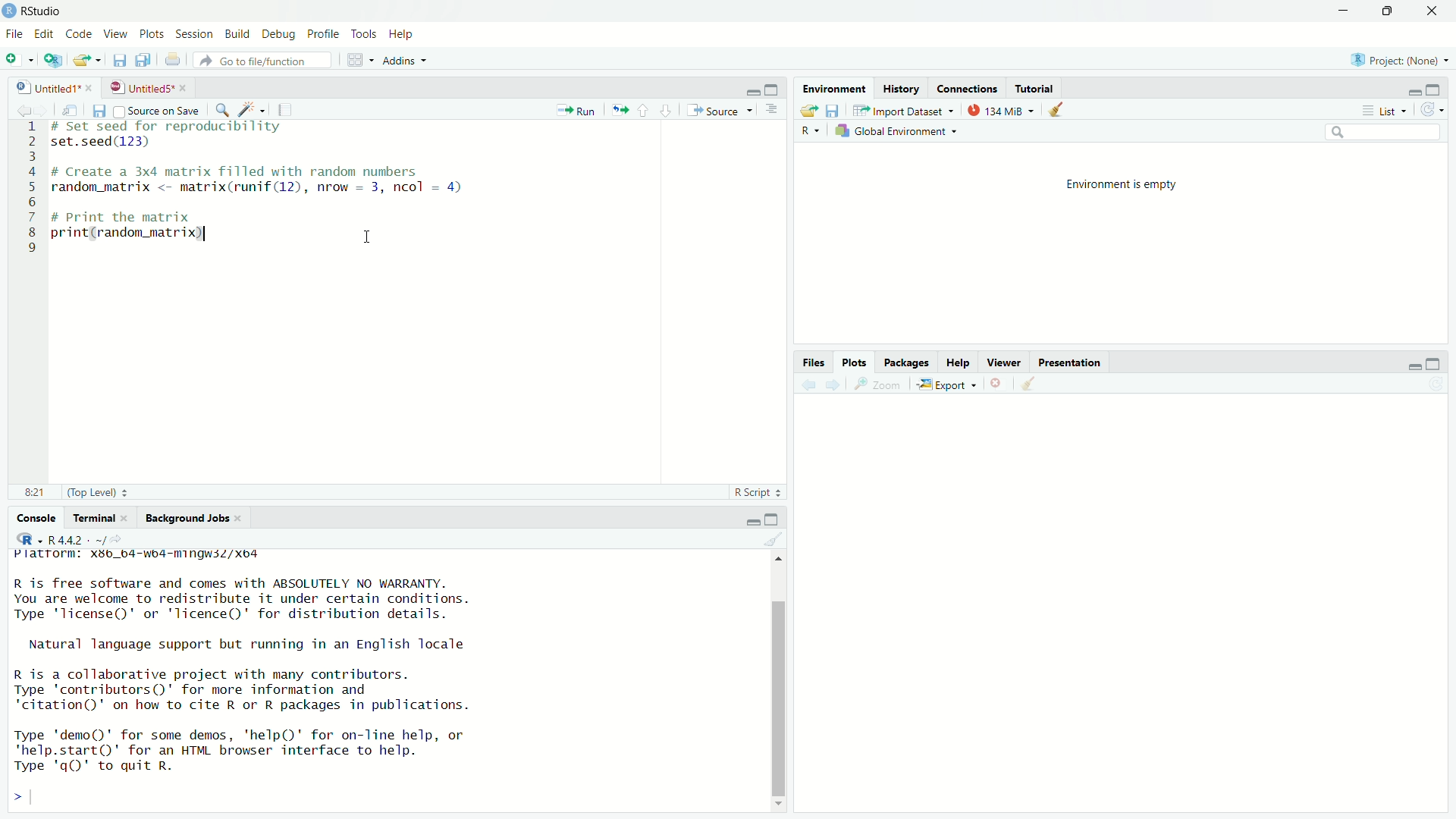 The image size is (1456, 819). Describe the element at coordinates (1034, 384) in the screenshot. I see `clear` at that location.